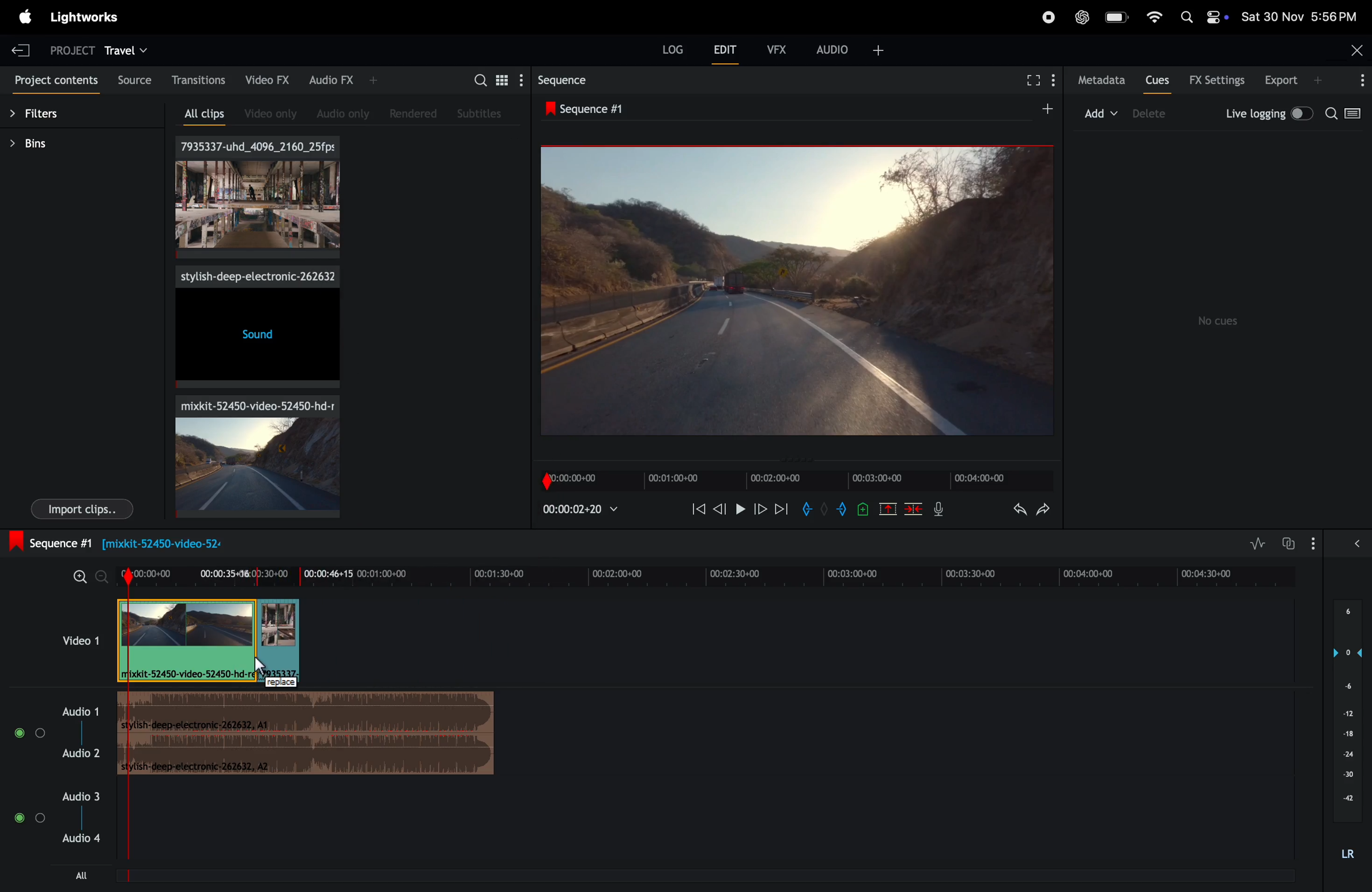  I want to click on options, so click(1339, 542).